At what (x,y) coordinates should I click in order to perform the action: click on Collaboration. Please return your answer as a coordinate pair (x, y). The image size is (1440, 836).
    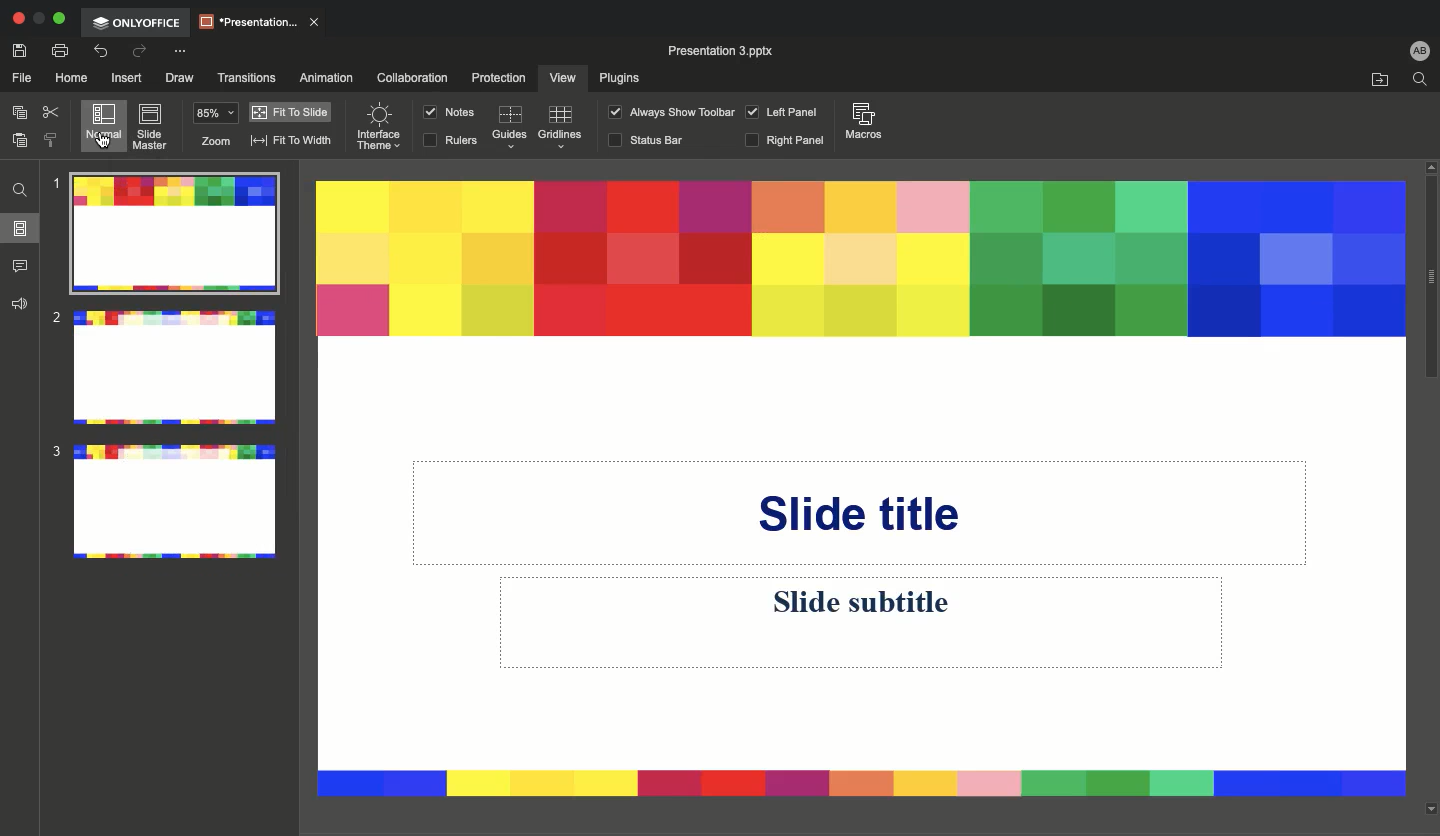
    Looking at the image, I should click on (416, 78).